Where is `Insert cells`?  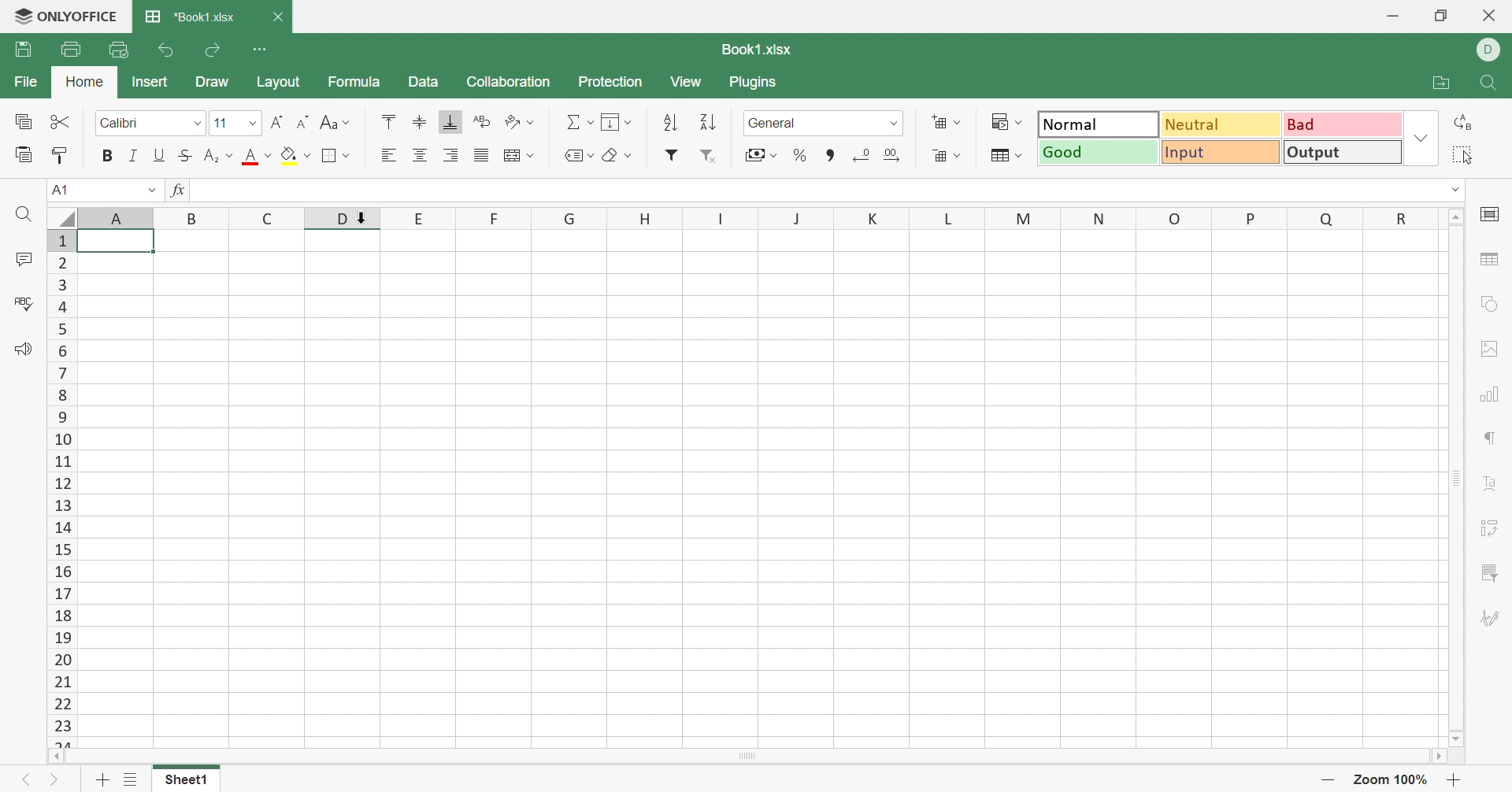 Insert cells is located at coordinates (938, 120).